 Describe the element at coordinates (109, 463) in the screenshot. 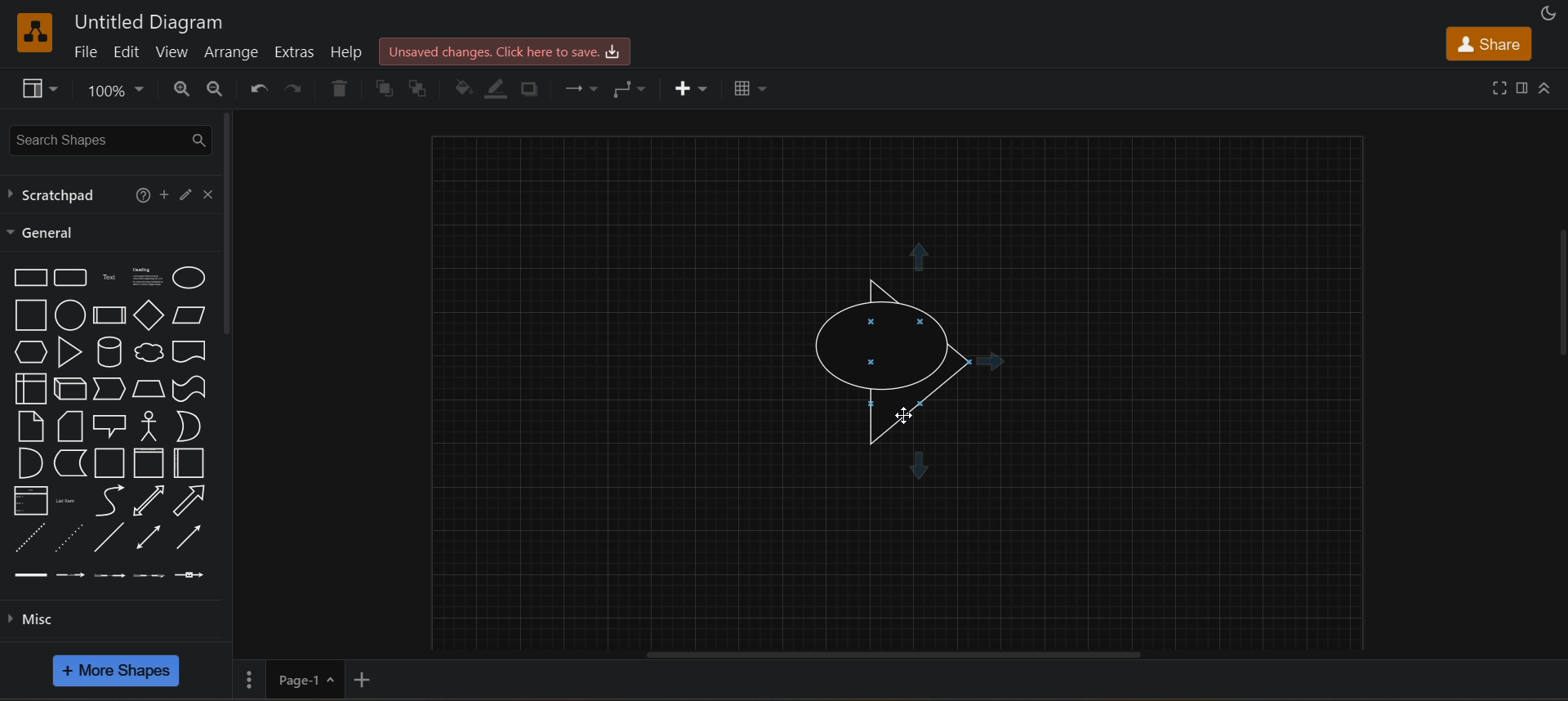

I see `container` at that location.